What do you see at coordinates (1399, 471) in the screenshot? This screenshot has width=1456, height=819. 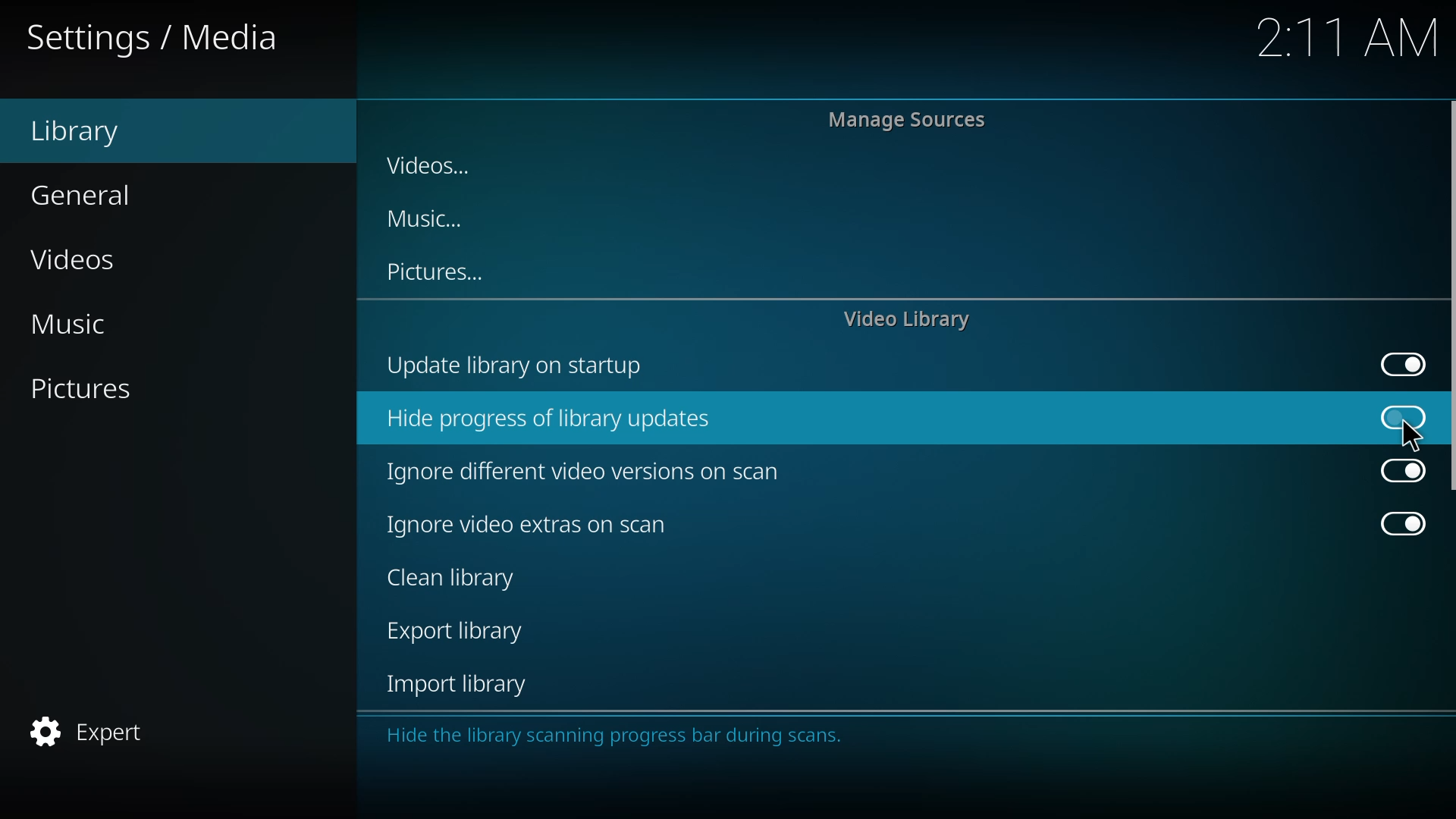 I see `enabled` at bounding box center [1399, 471].